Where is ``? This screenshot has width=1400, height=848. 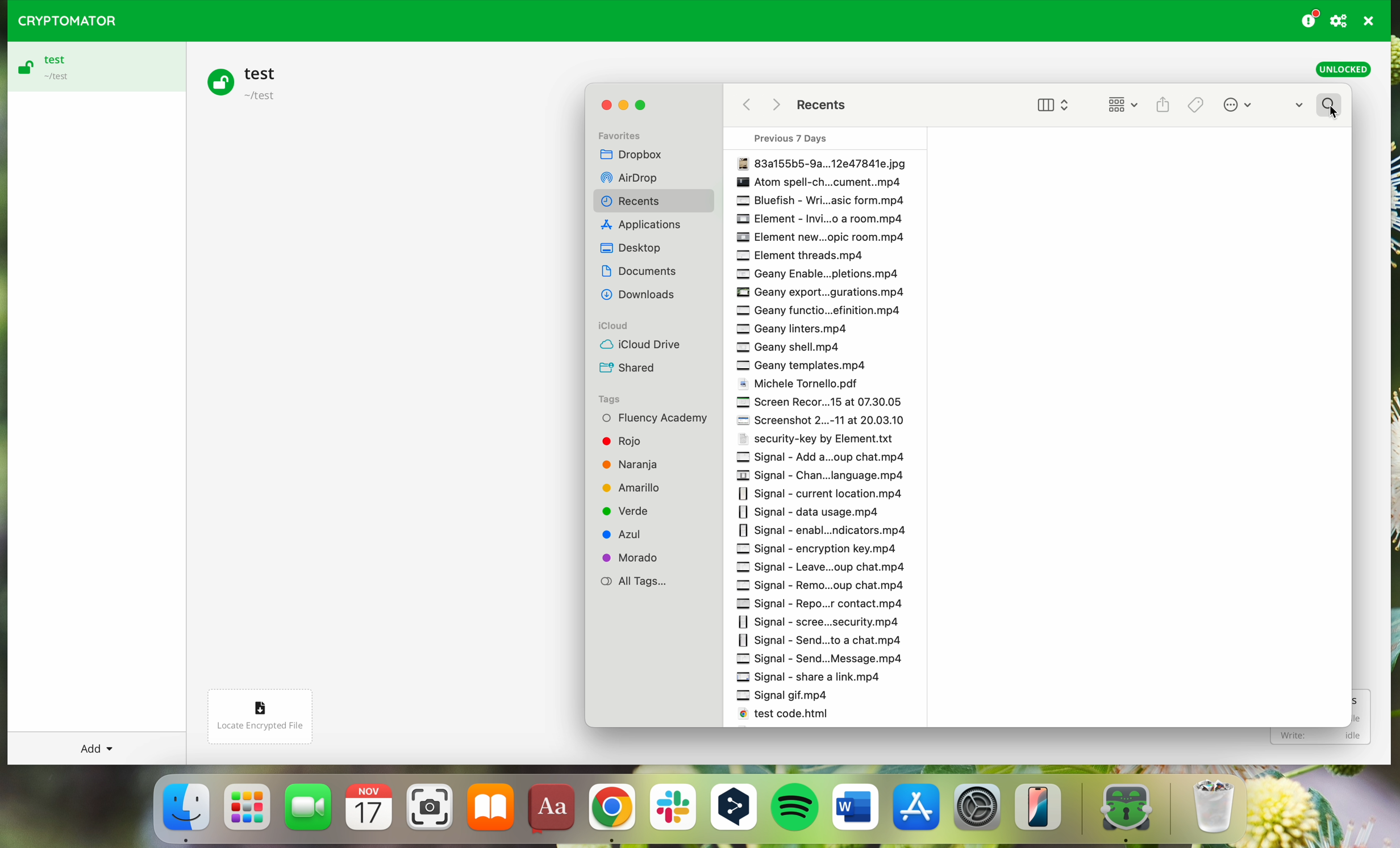  is located at coordinates (821, 181).